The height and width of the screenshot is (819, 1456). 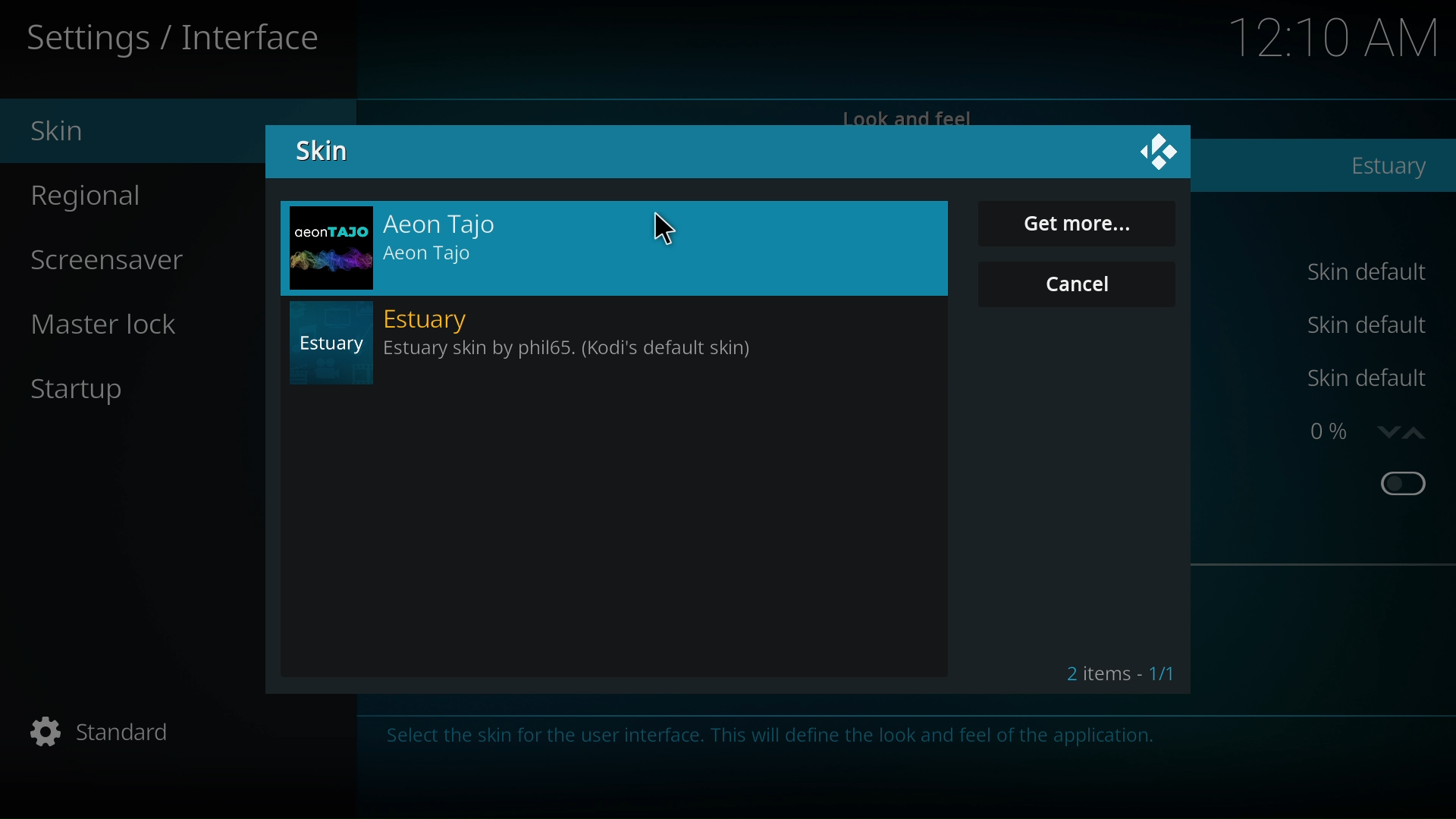 What do you see at coordinates (127, 262) in the screenshot?
I see `screensaver` at bounding box center [127, 262].